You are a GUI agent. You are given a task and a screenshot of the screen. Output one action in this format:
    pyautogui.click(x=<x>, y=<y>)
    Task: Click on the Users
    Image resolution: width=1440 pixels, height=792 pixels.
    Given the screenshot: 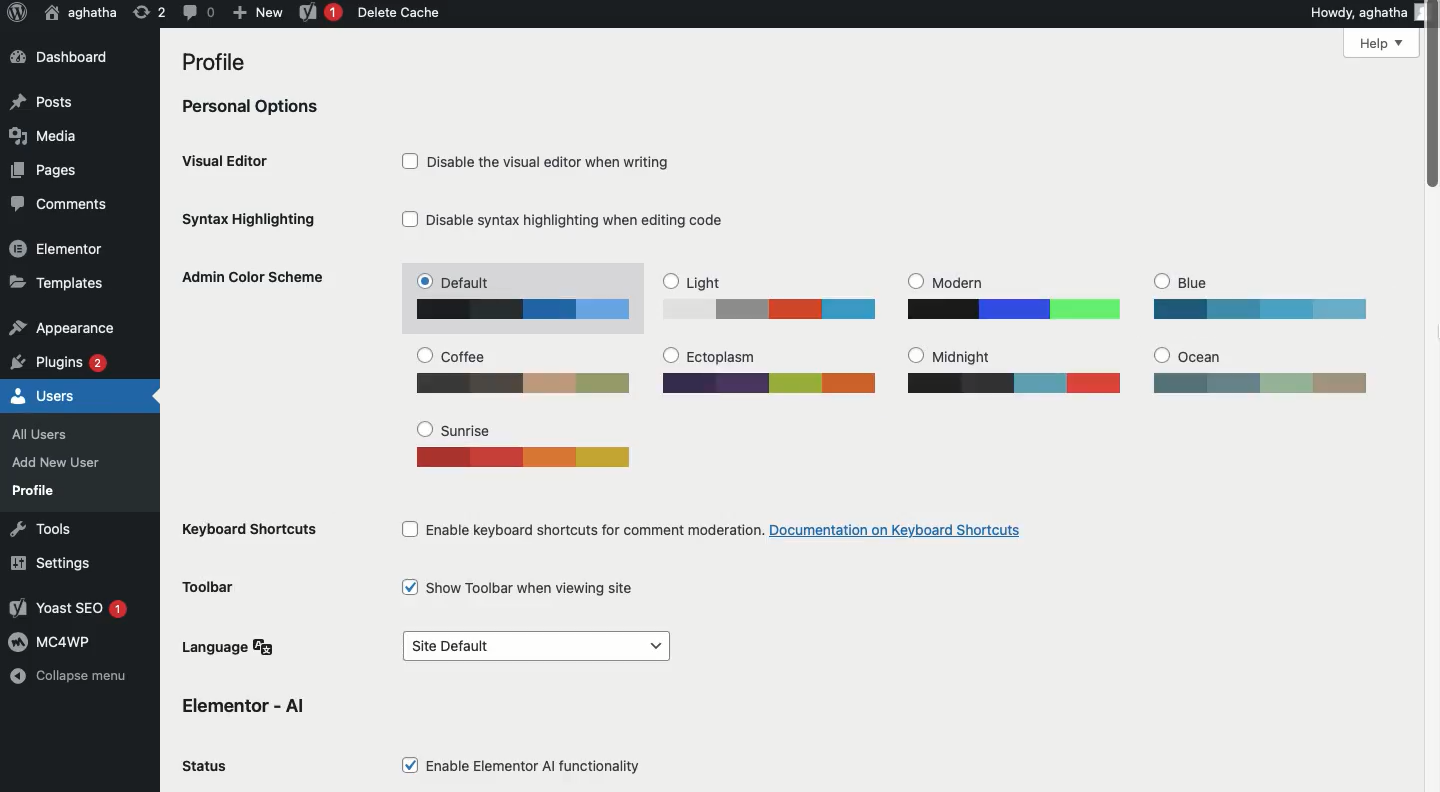 What is the action you would take?
    pyautogui.click(x=44, y=394)
    